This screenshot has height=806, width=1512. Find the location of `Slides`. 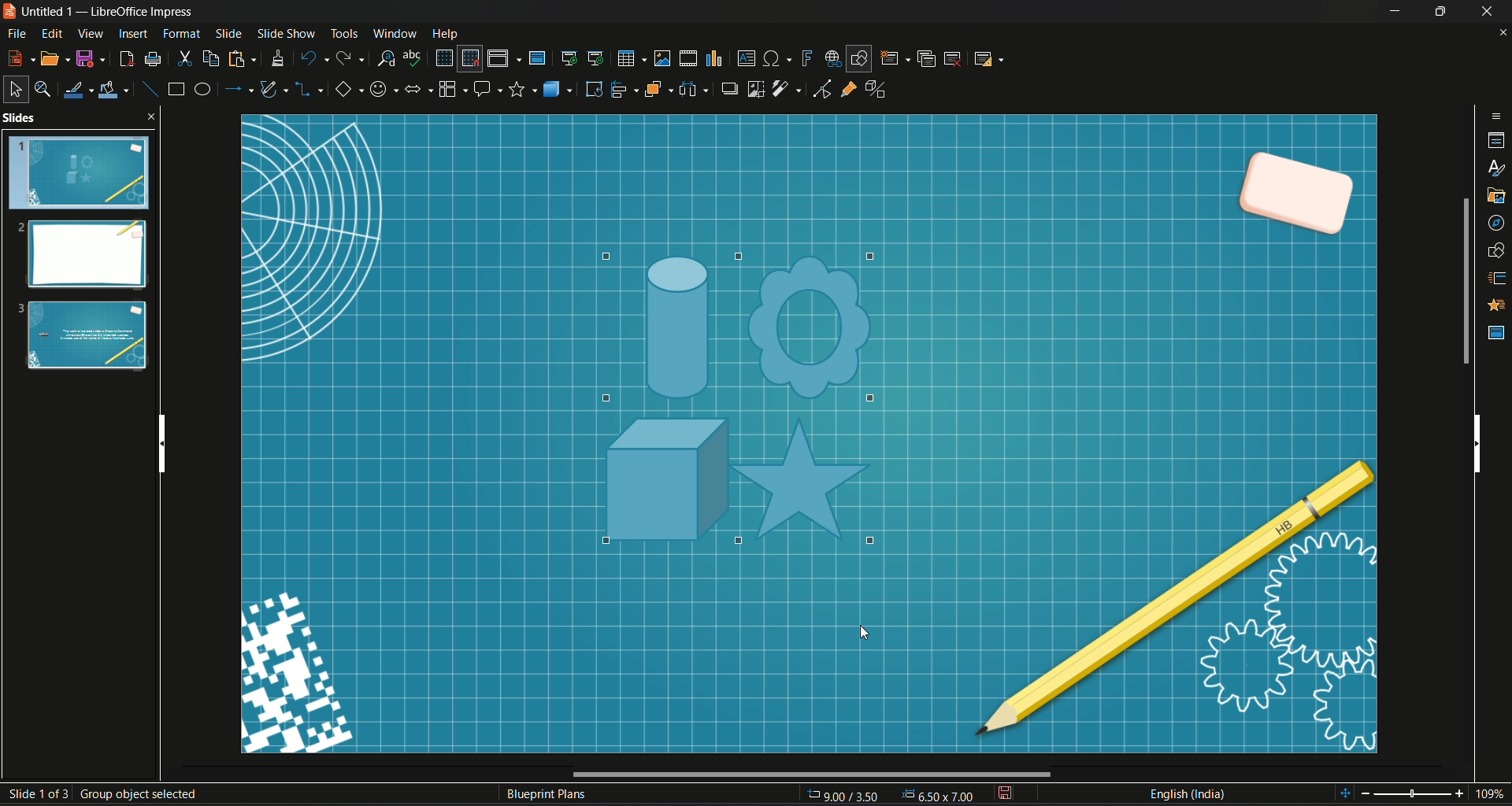

Slides is located at coordinates (80, 246).